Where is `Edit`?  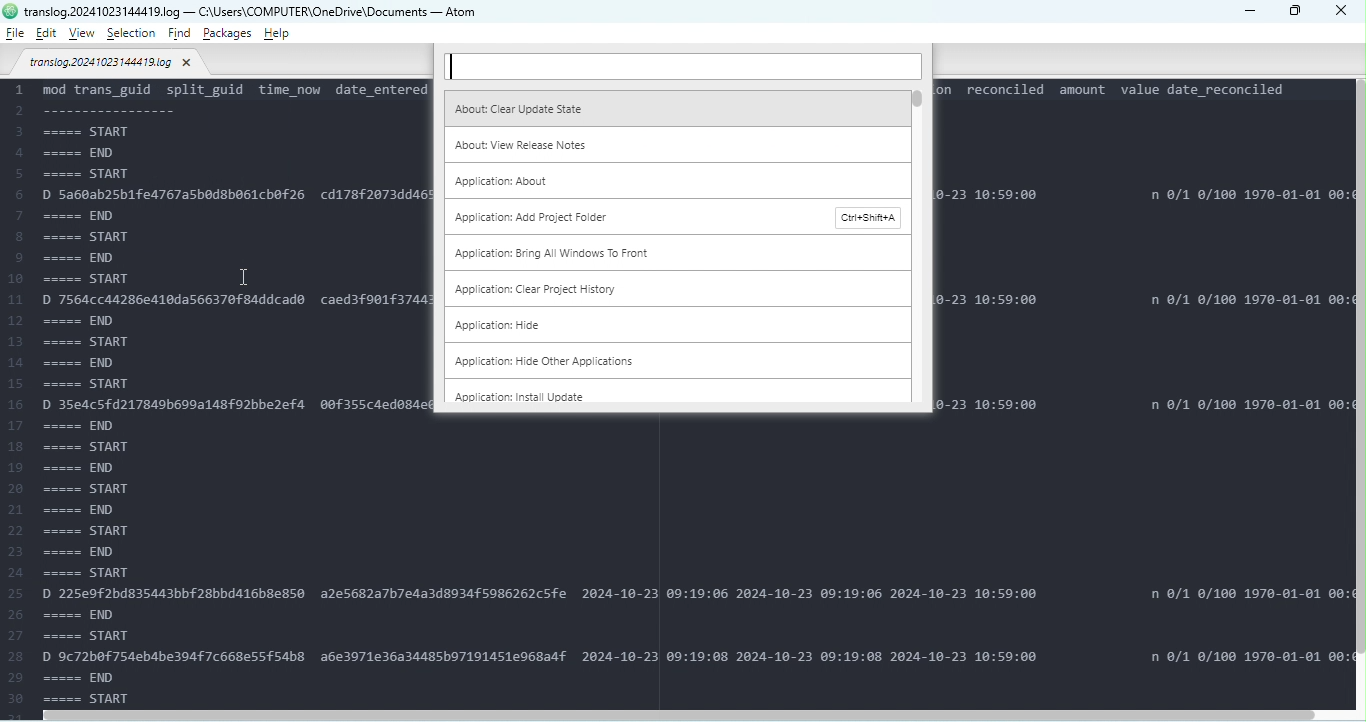
Edit is located at coordinates (46, 34).